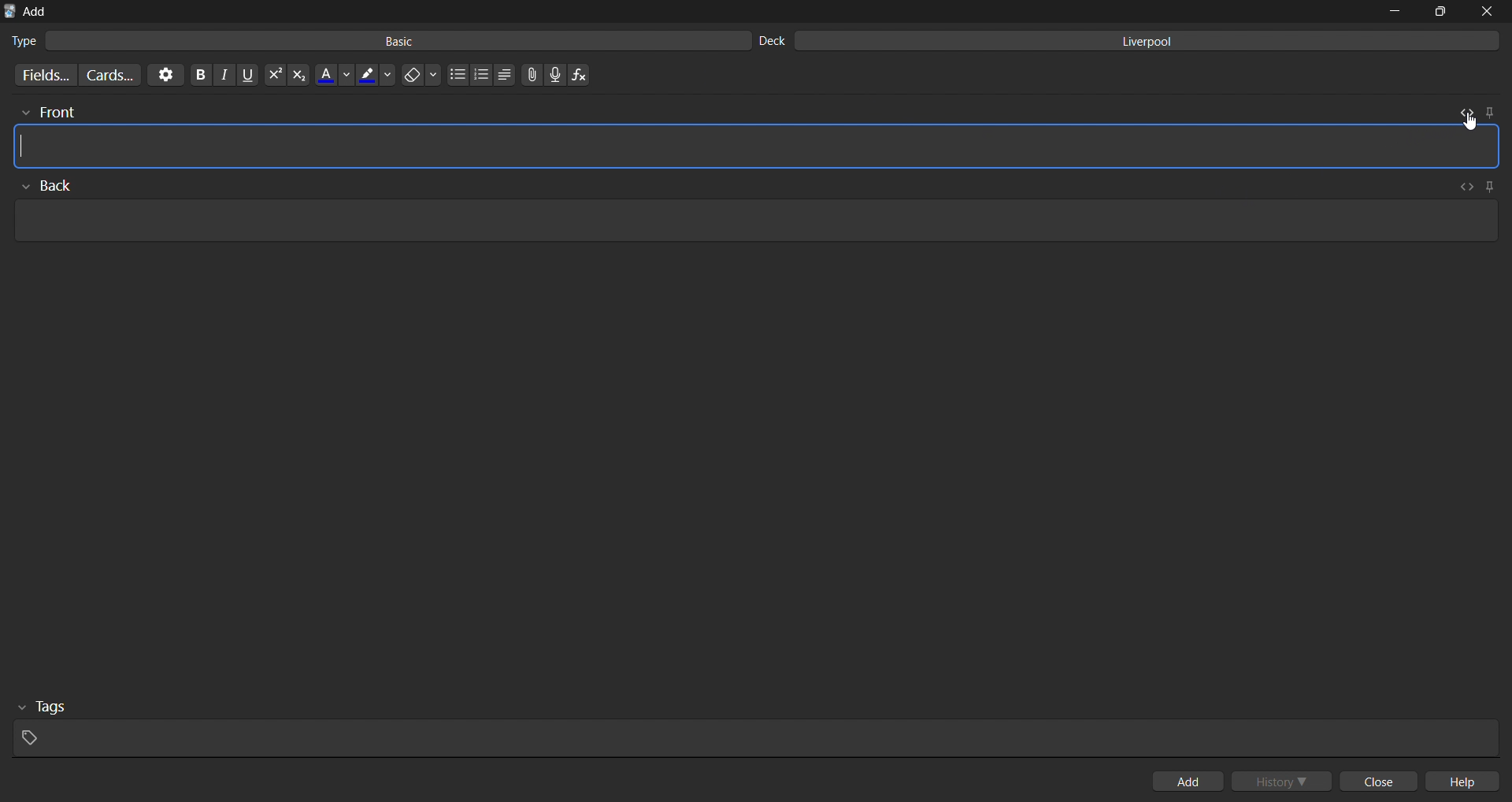 The image size is (1512, 802). I want to click on close, so click(1383, 782).